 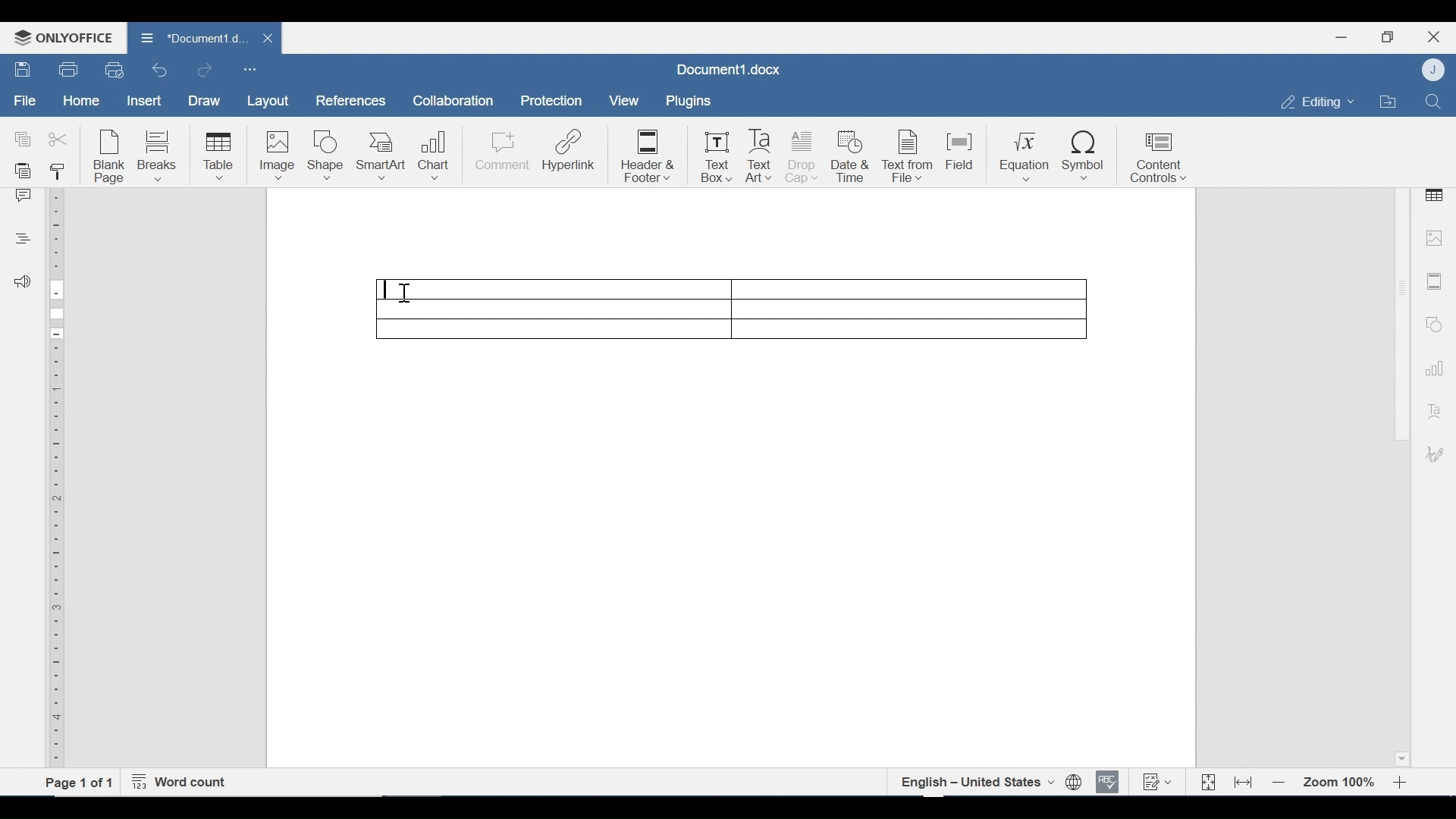 I want to click on Customize Quick Access Toolbar, so click(x=249, y=69).